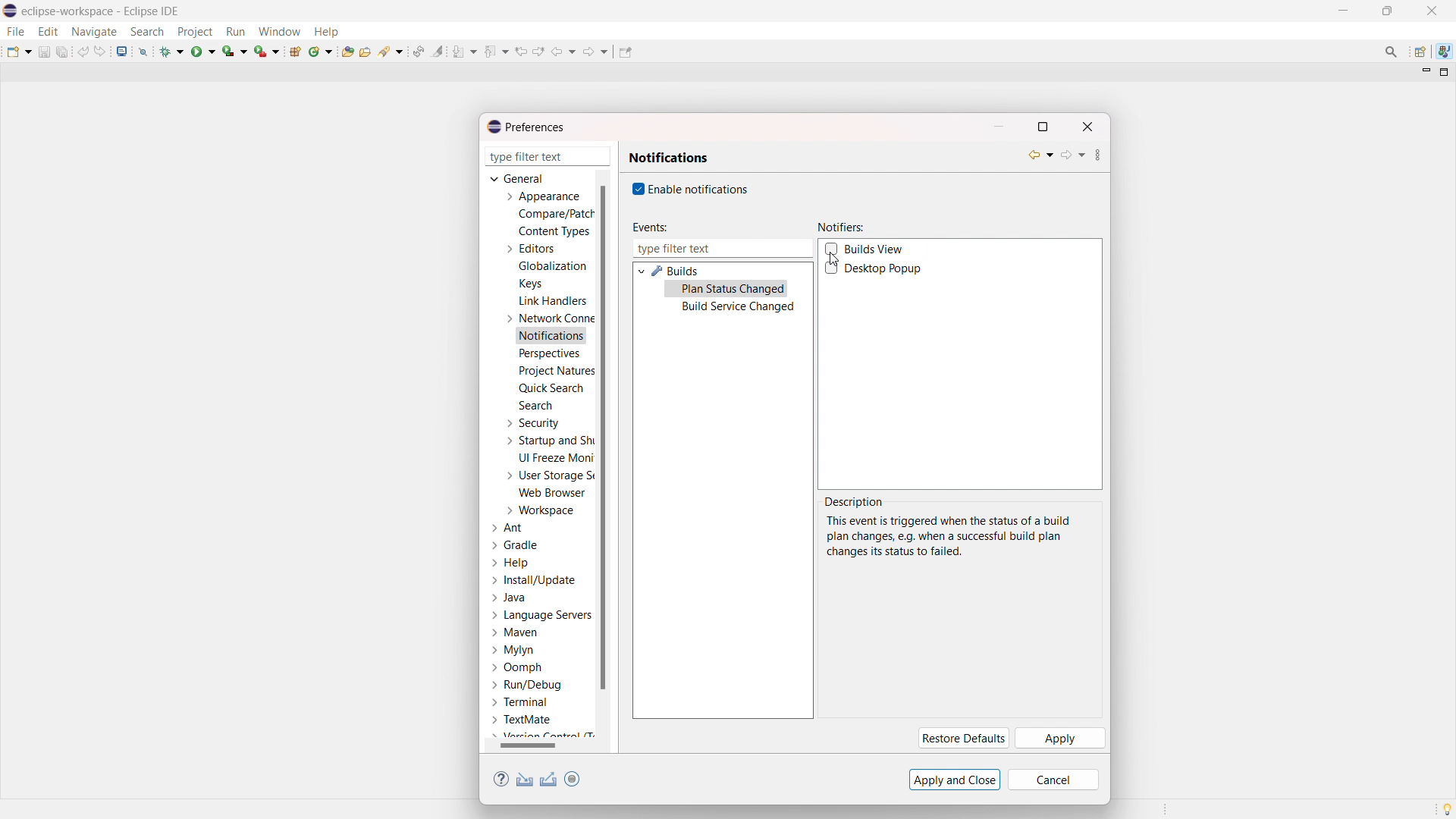 The image size is (1456, 819). Describe the element at coordinates (1445, 52) in the screenshot. I see `java` at that location.